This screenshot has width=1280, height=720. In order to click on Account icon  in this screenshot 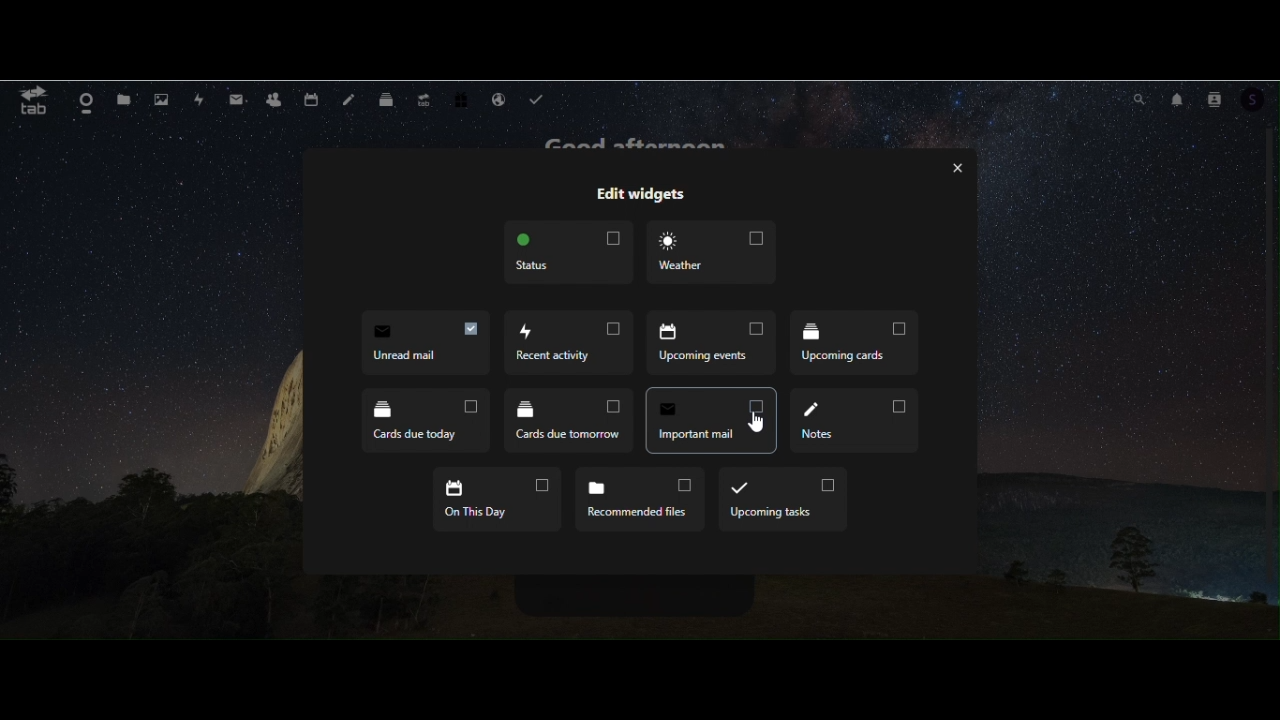, I will do `click(1260, 102)`.